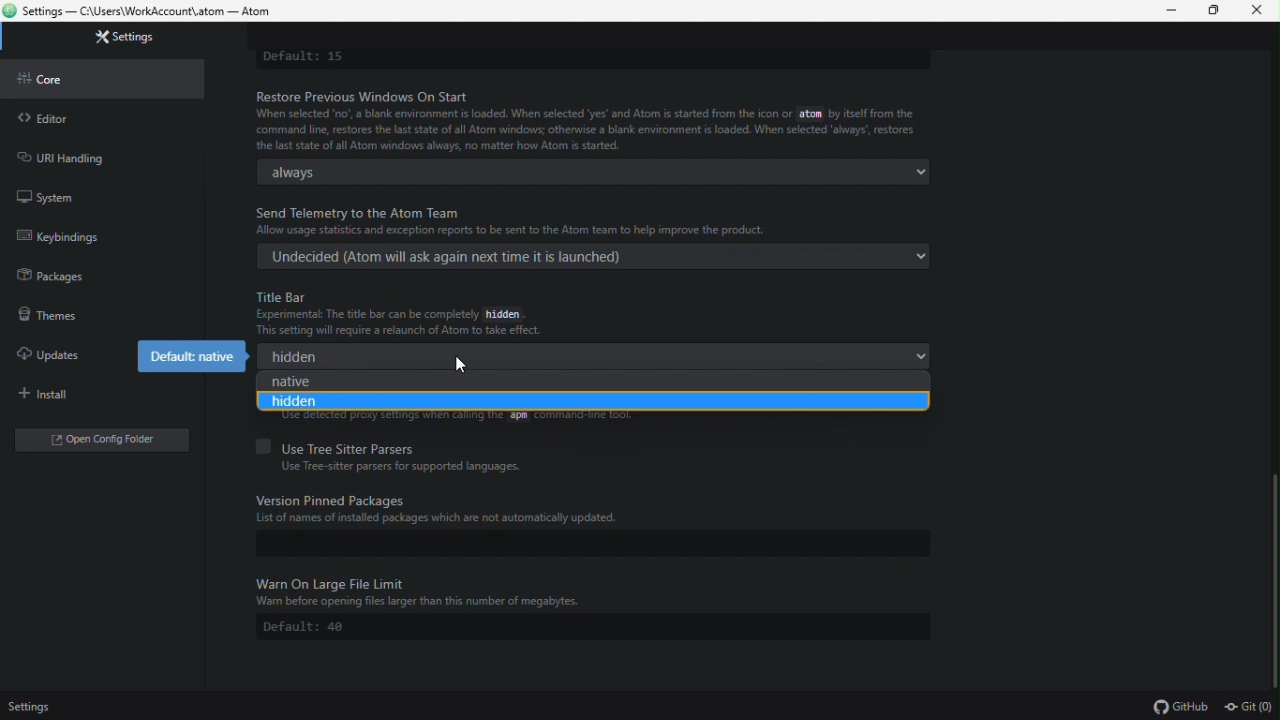 Image resolution: width=1280 pixels, height=720 pixels. Describe the element at coordinates (108, 444) in the screenshot. I see `Open config editor` at that location.